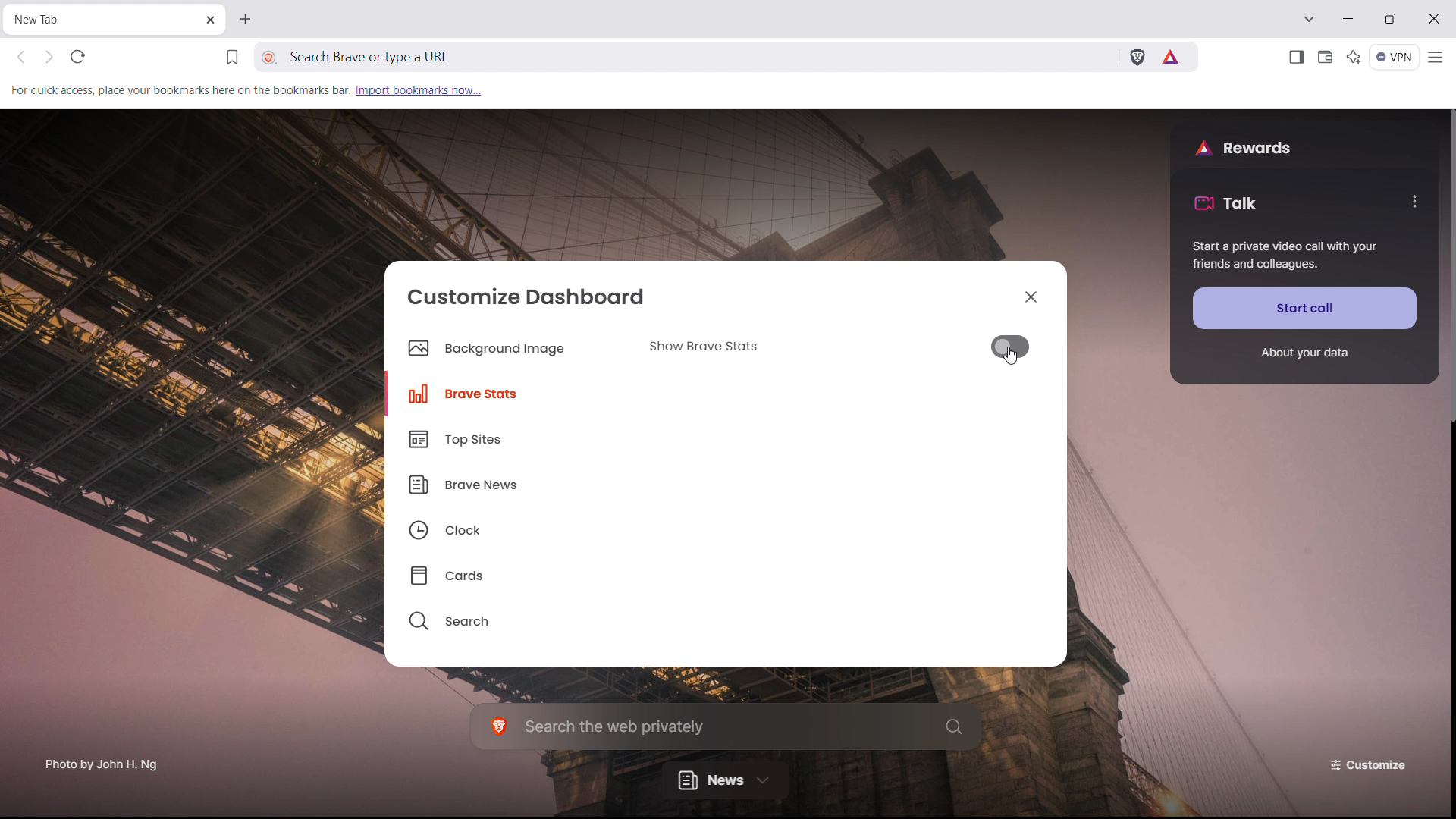 Image resolution: width=1456 pixels, height=819 pixels. I want to click on cursor, so click(1014, 358).